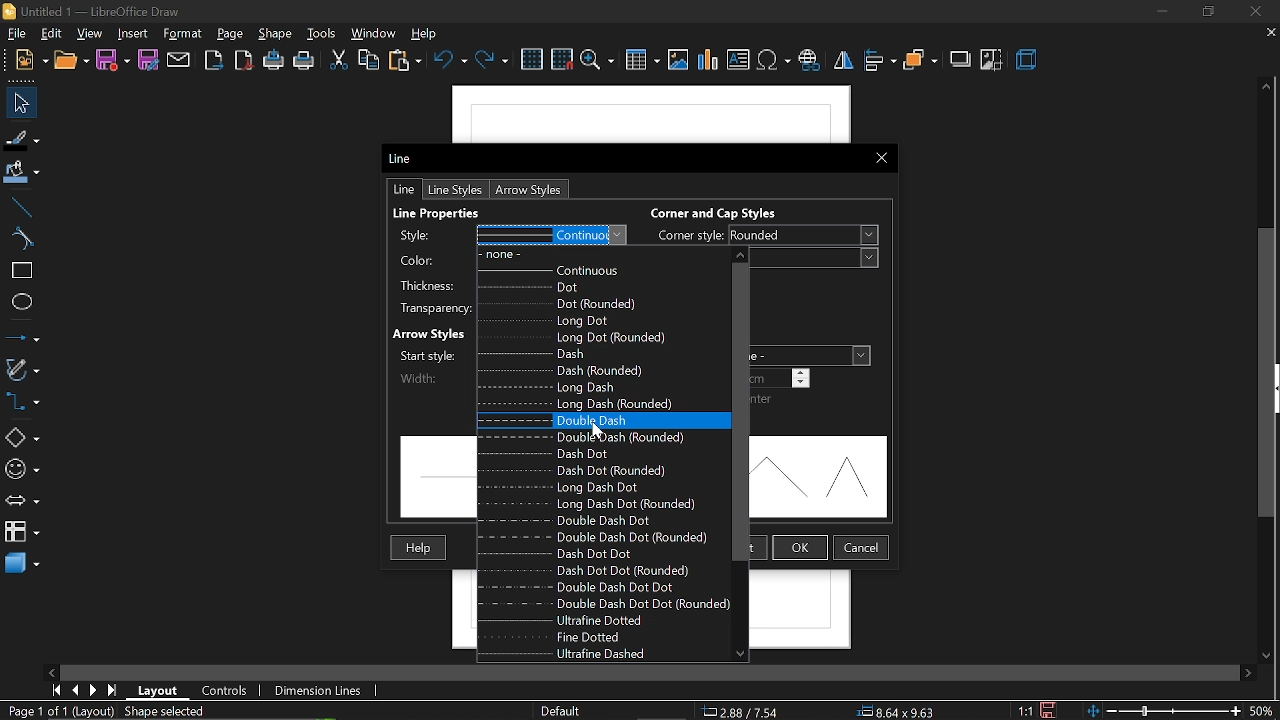  I want to click on end style, so click(811, 354).